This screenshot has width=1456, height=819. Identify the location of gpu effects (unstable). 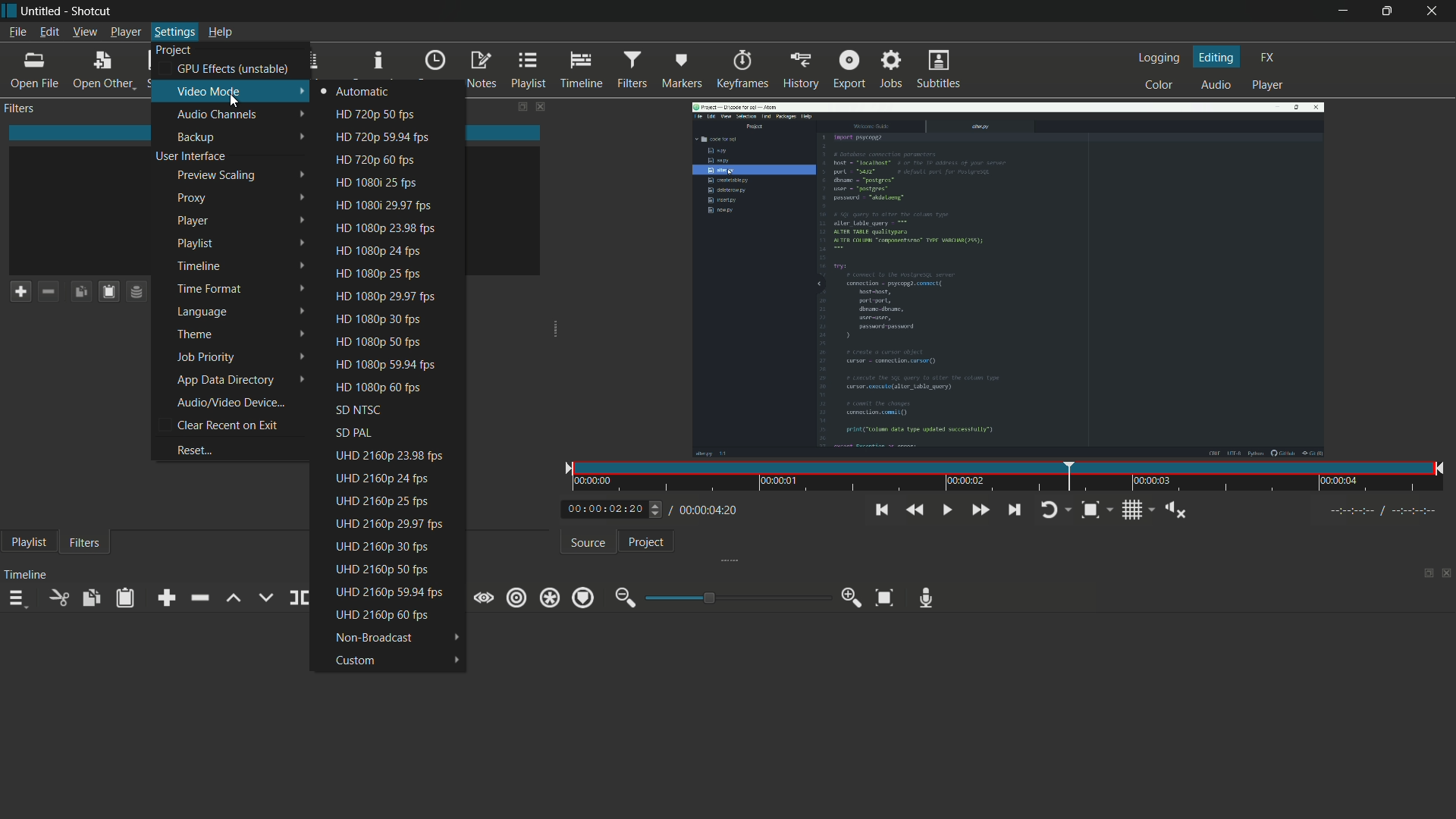
(234, 70).